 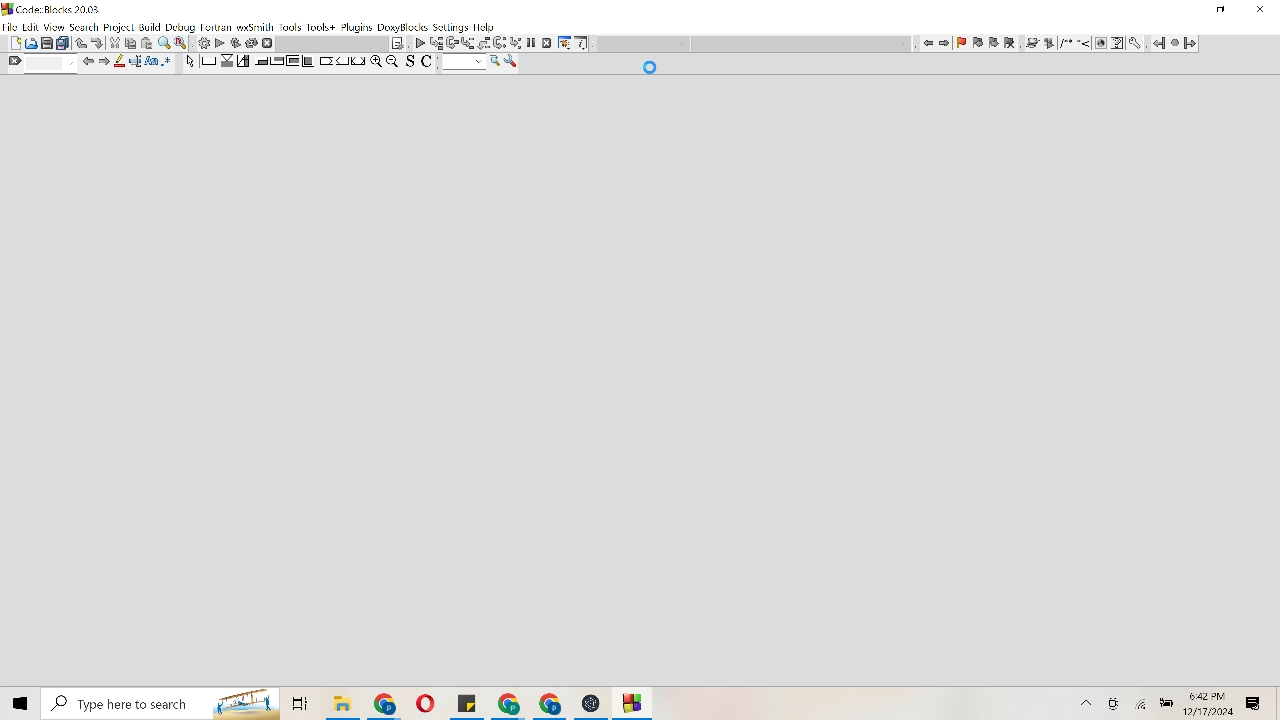 I want to click on flag item, so click(x=986, y=43).